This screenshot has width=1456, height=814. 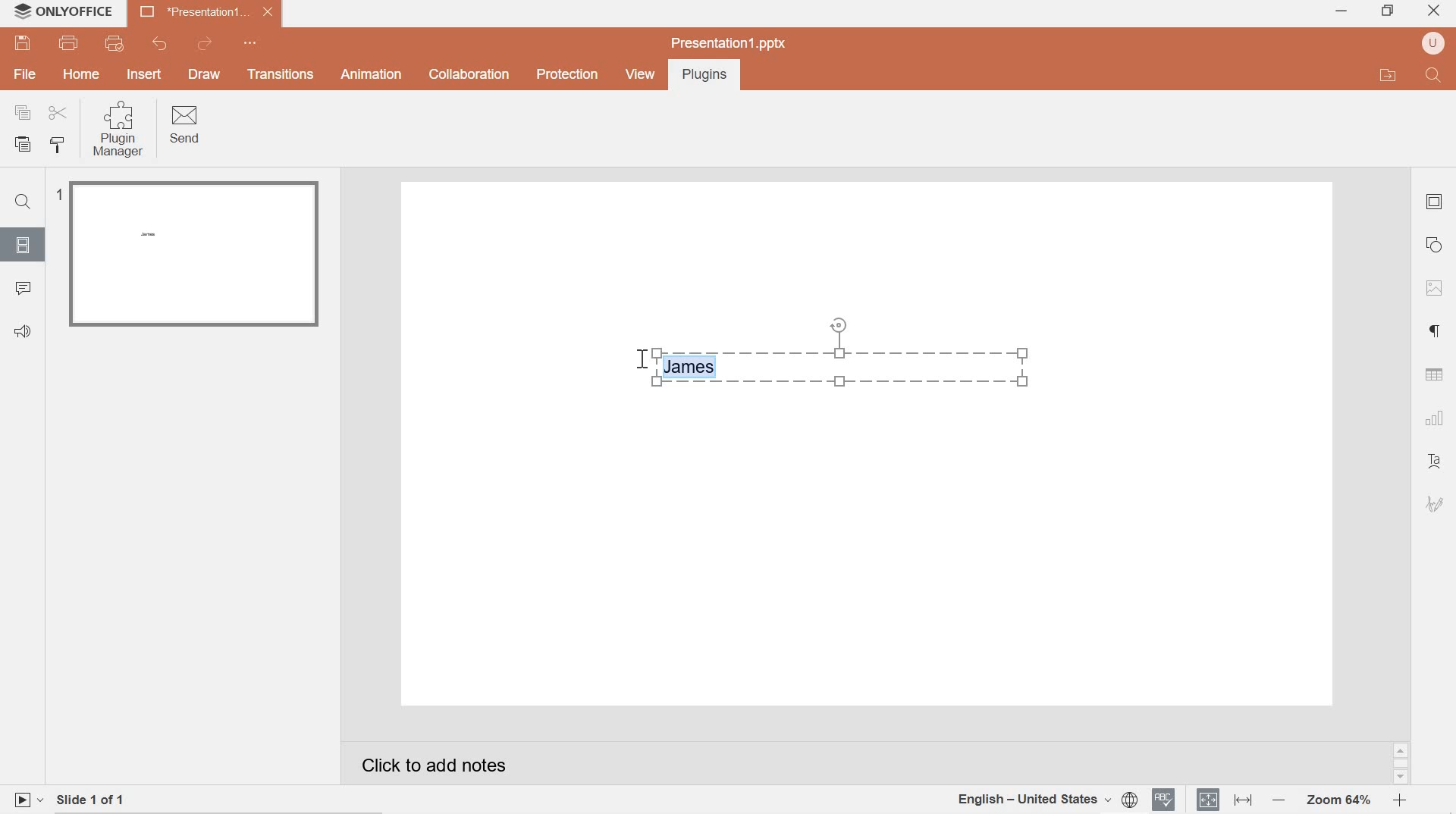 I want to click on comments, so click(x=25, y=290).